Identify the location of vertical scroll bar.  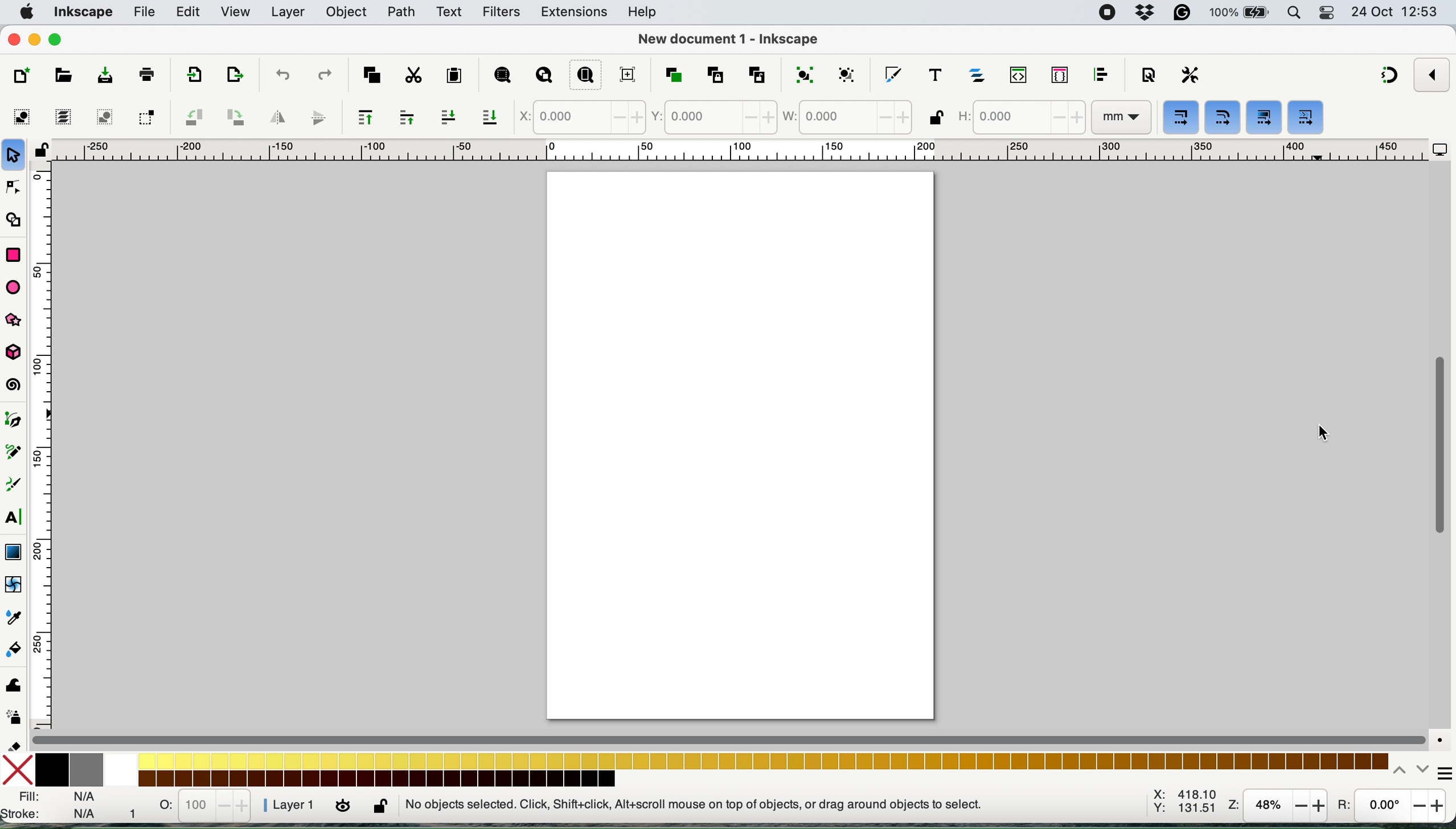
(1438, 449).